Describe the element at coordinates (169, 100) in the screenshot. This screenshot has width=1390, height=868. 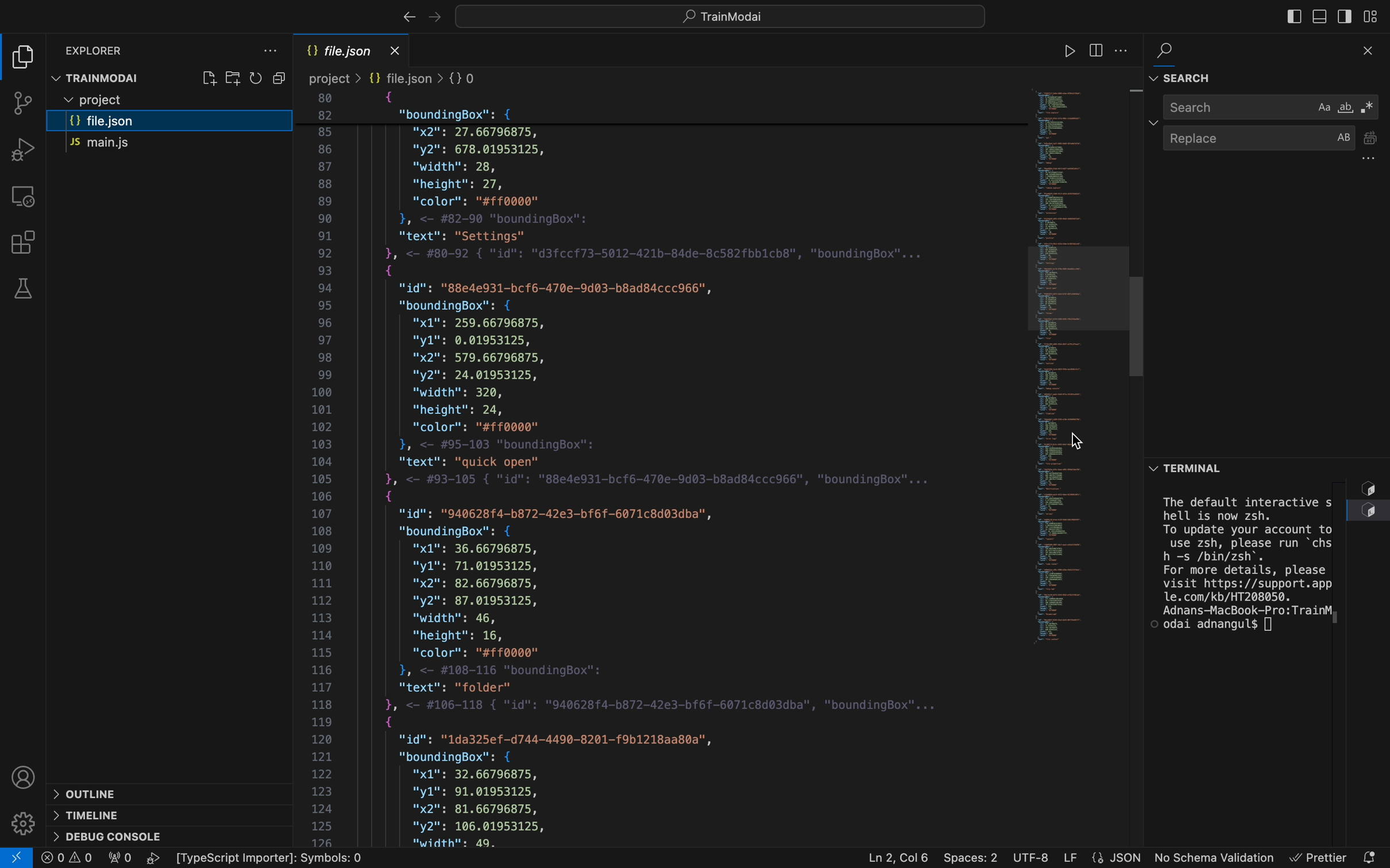
I see `files and folders` at that location.